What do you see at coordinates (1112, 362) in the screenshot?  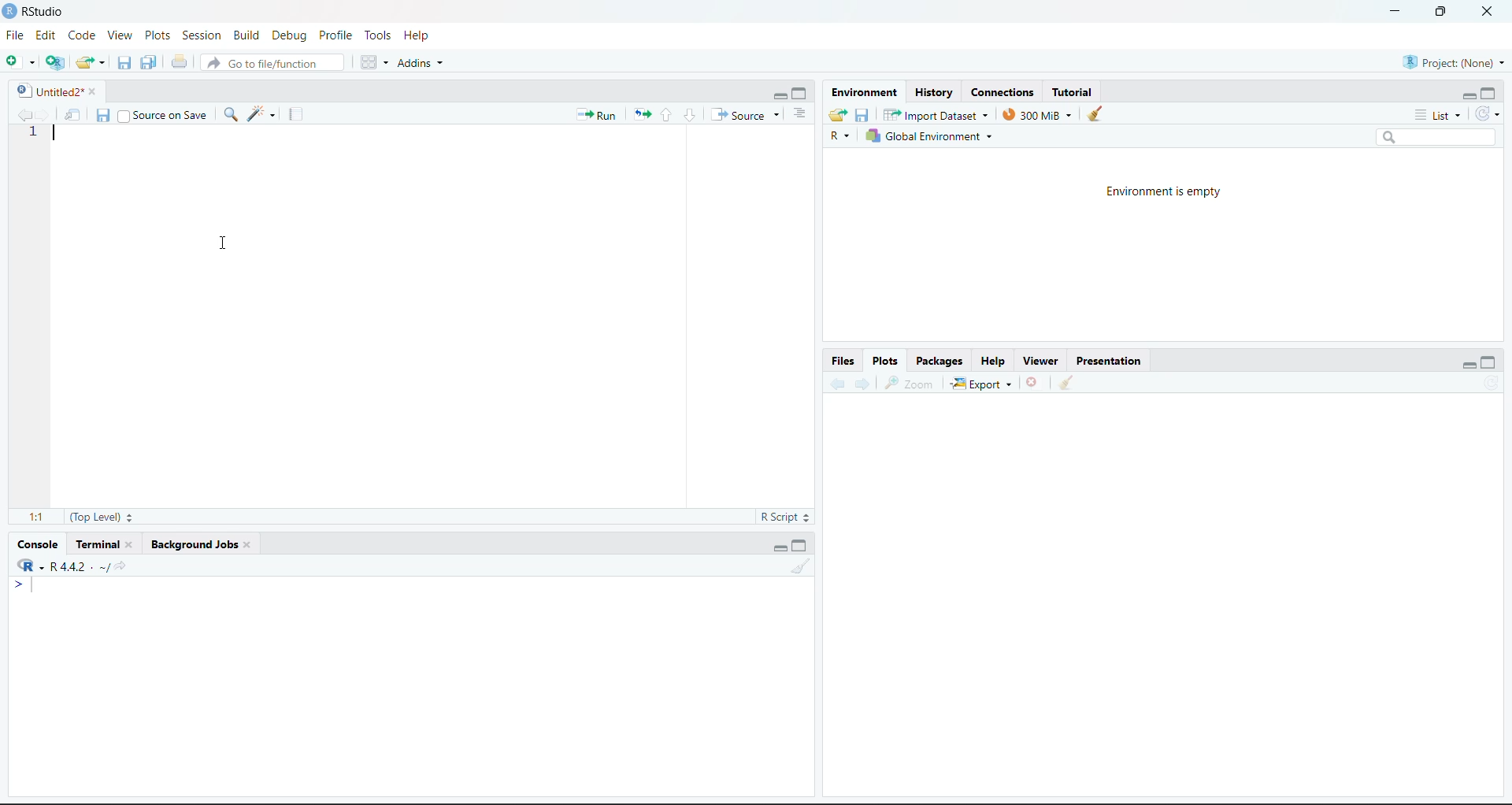 I see `Presentation` at bounding box center [1112, 362].